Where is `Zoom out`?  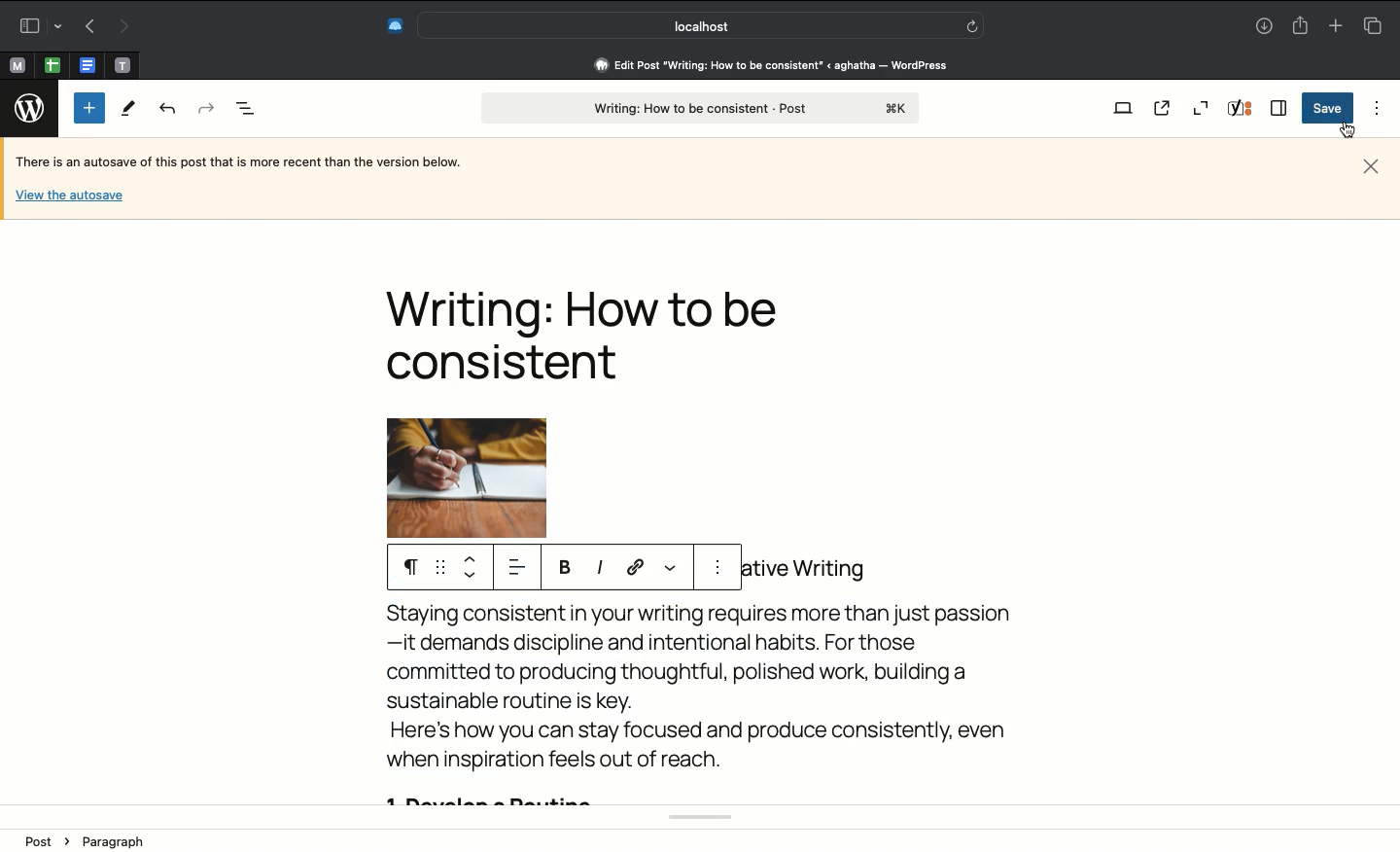
Zoom out is located at coordinates (1201, 108).